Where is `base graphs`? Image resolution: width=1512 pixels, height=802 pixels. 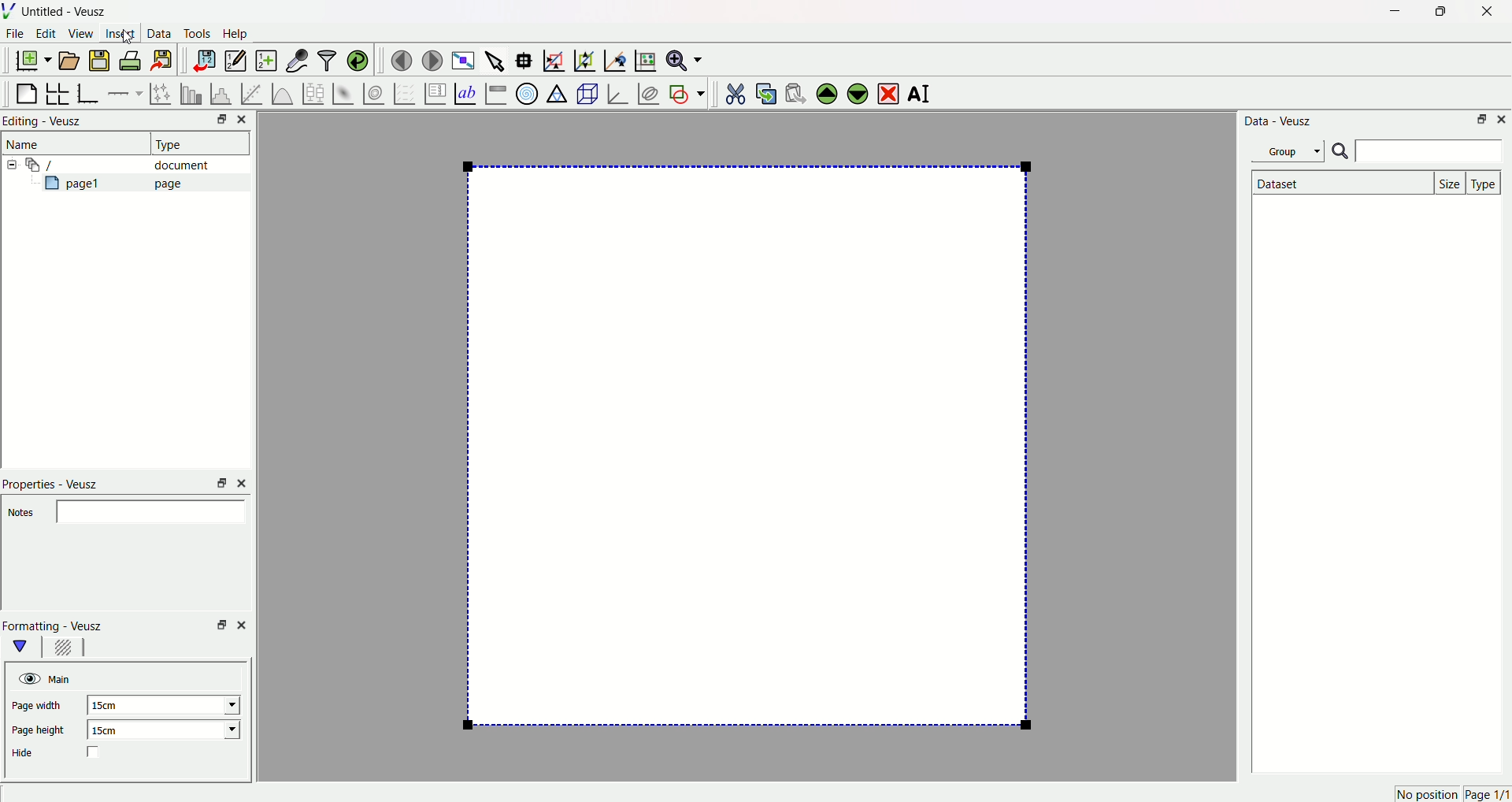
base graphs is located at coordinates (90, 91).